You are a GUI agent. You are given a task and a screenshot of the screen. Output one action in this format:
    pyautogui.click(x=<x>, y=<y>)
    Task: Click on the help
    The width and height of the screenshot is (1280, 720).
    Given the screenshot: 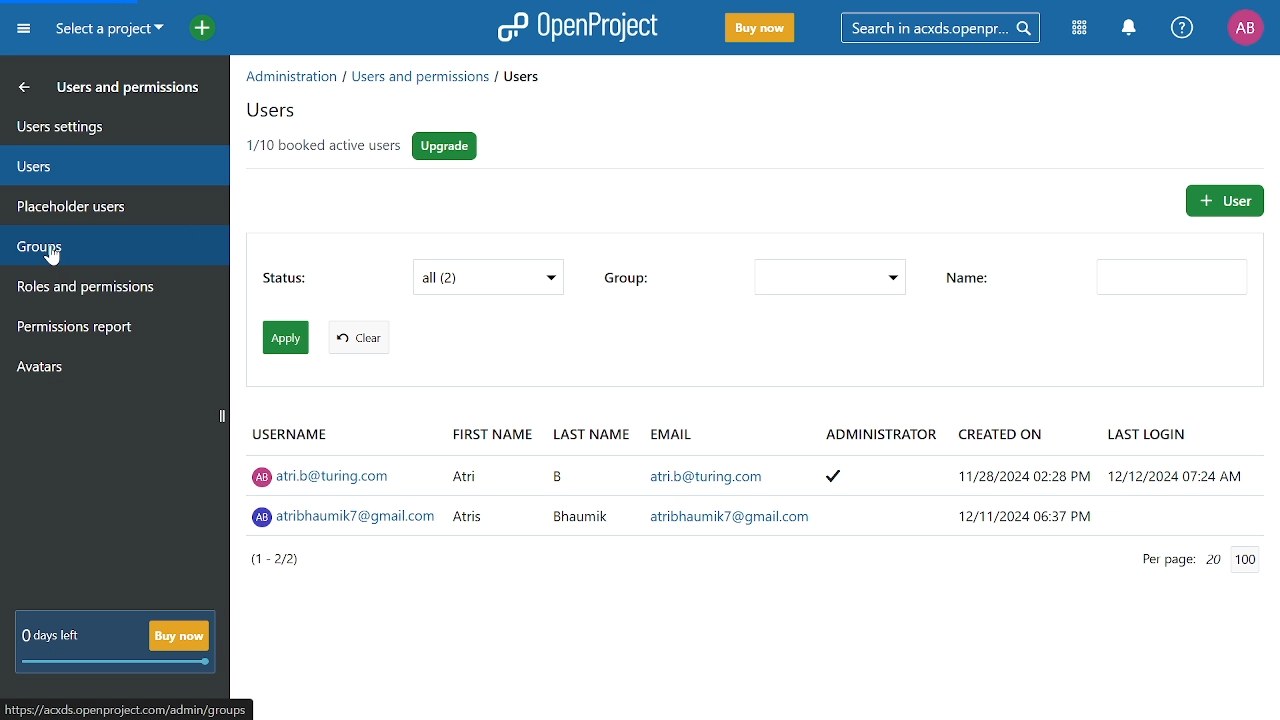 What is the action you would take?
    pyautogui.click(x=1182, y=28)
    